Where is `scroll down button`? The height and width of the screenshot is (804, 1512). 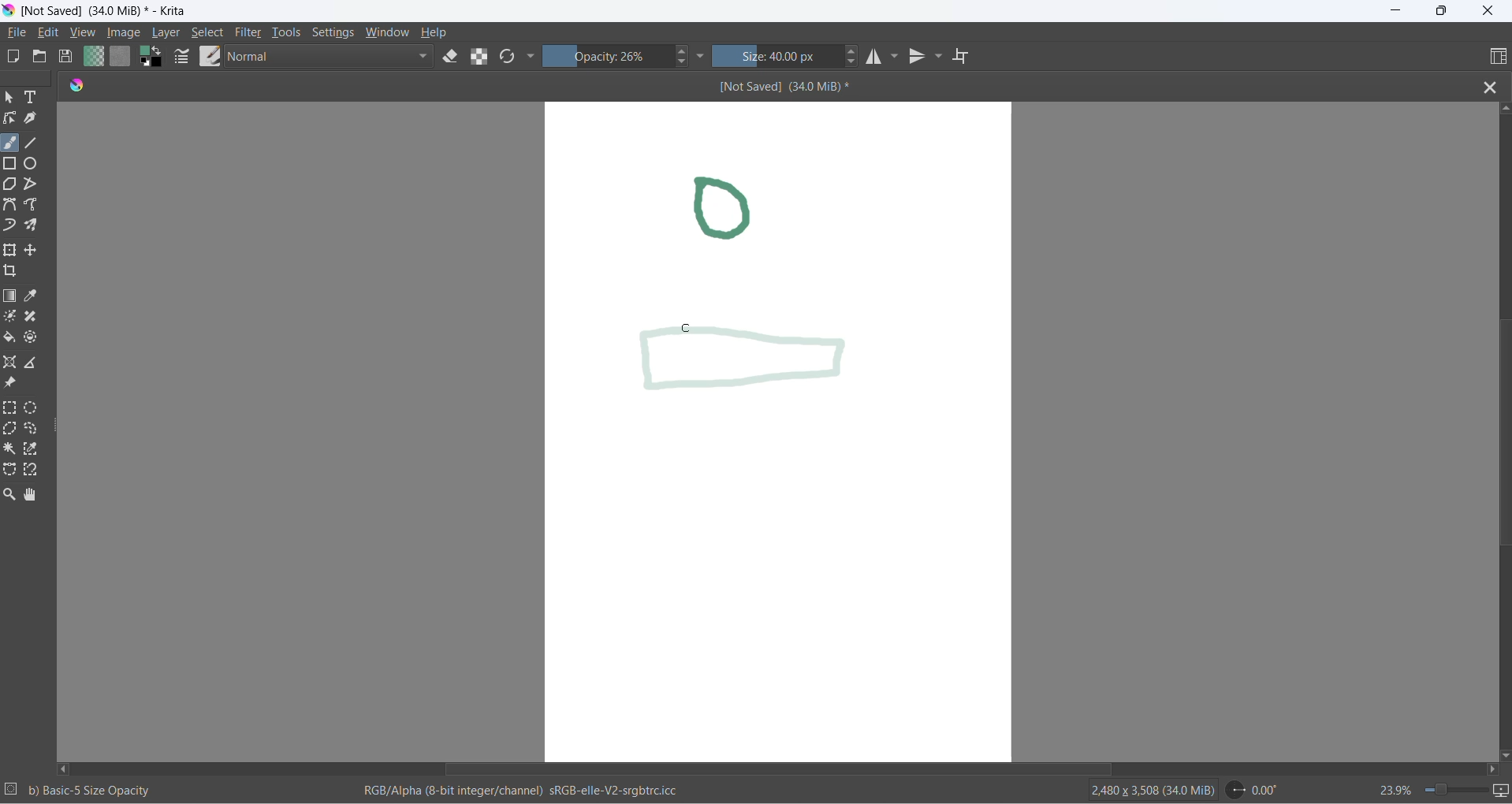 scroll down button is located at coordinates (1503, 754).